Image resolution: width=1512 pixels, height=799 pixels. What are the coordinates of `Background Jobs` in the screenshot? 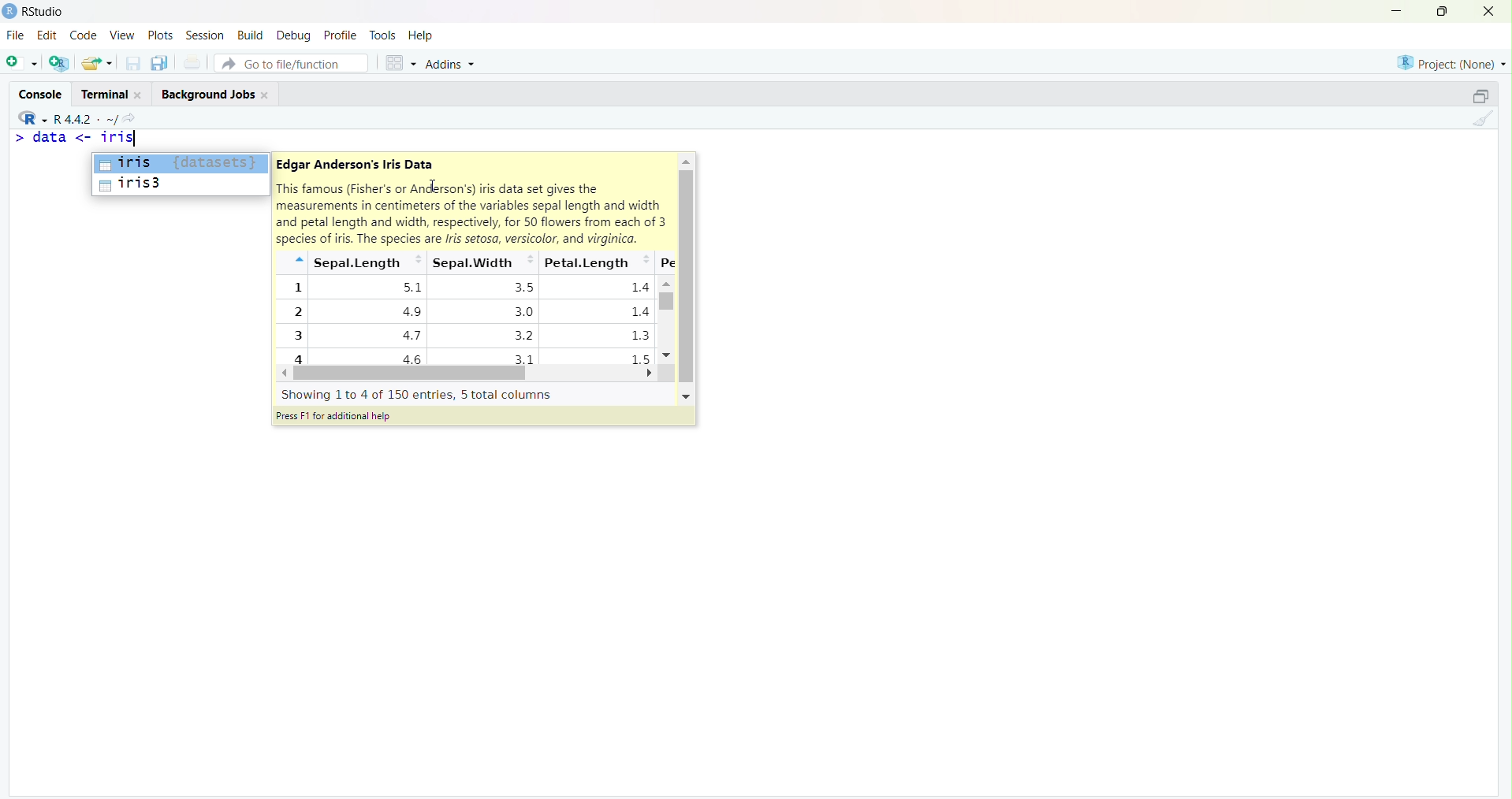 It's located at (215, 93).